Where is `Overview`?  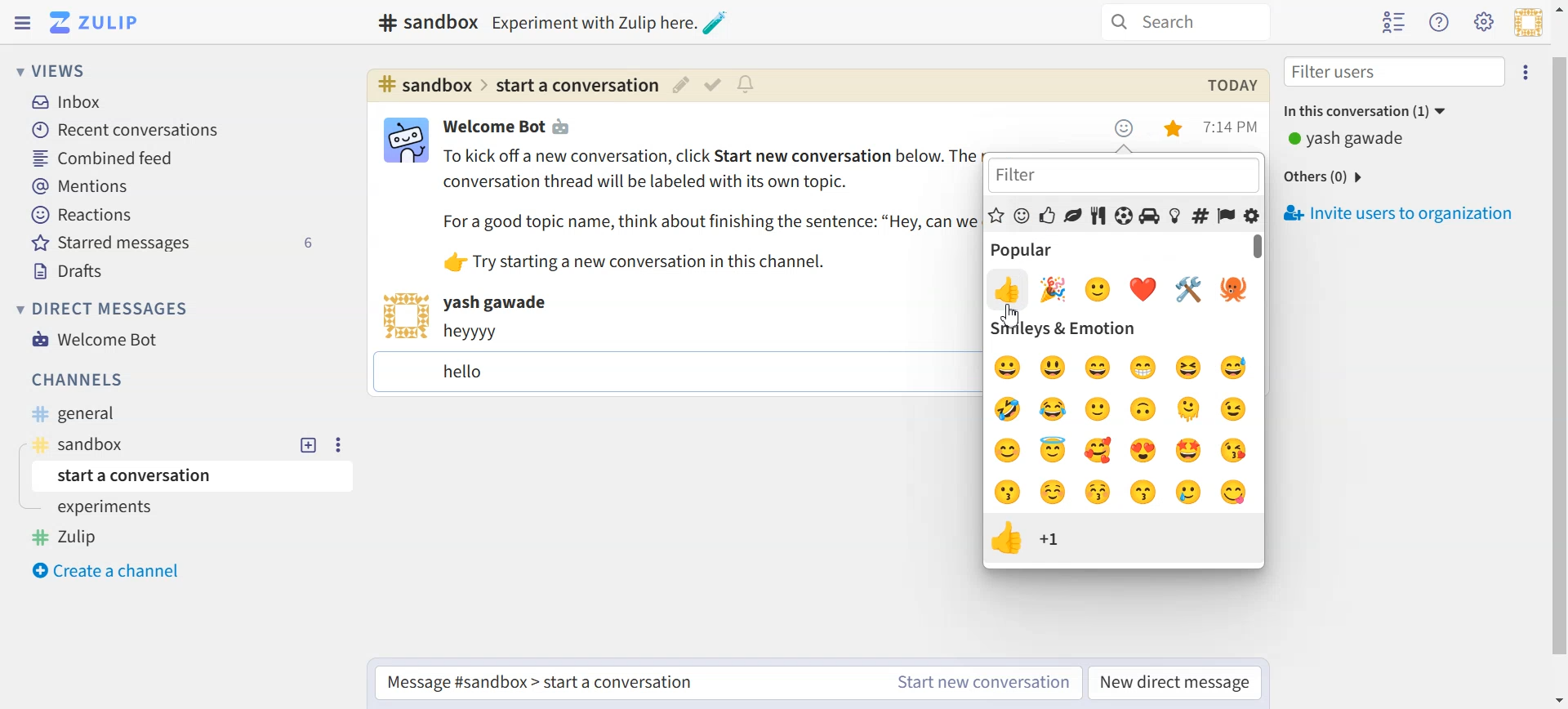 Overview is located at coordinates (1059, 537).